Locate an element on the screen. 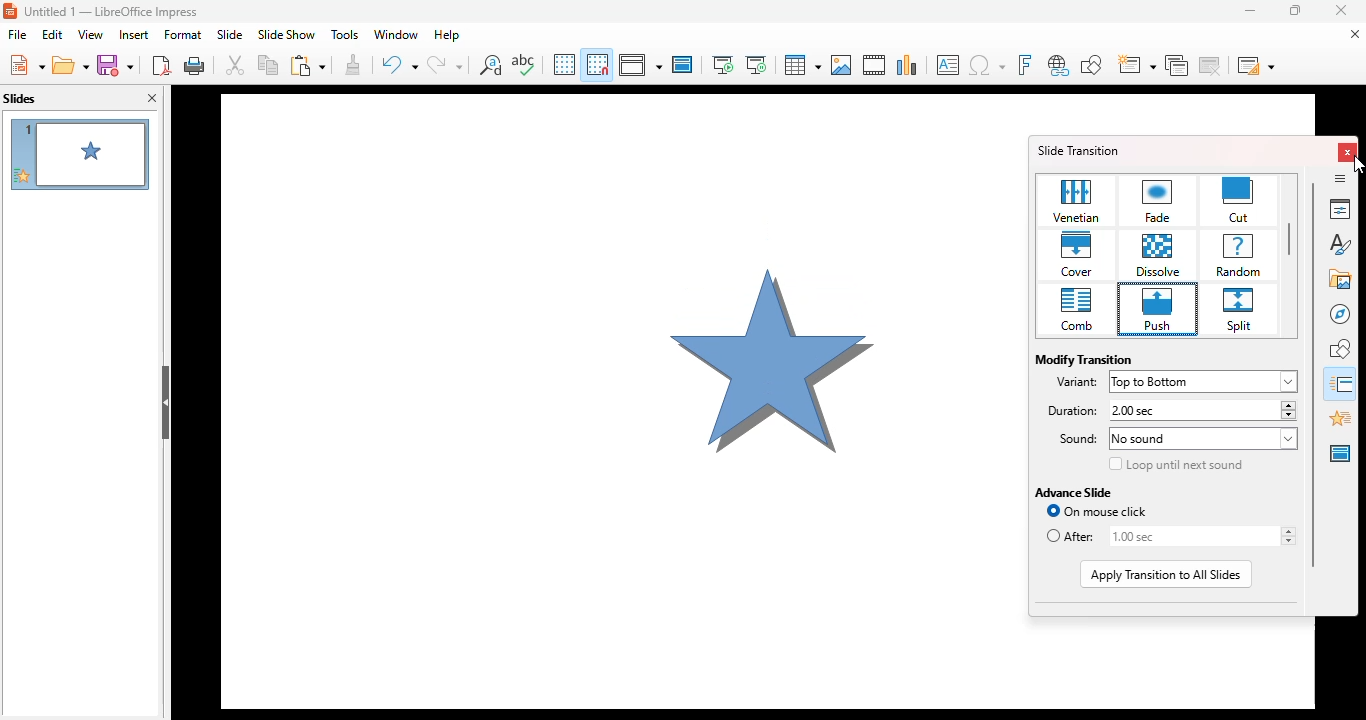  help is located at coordinates (447, 36).